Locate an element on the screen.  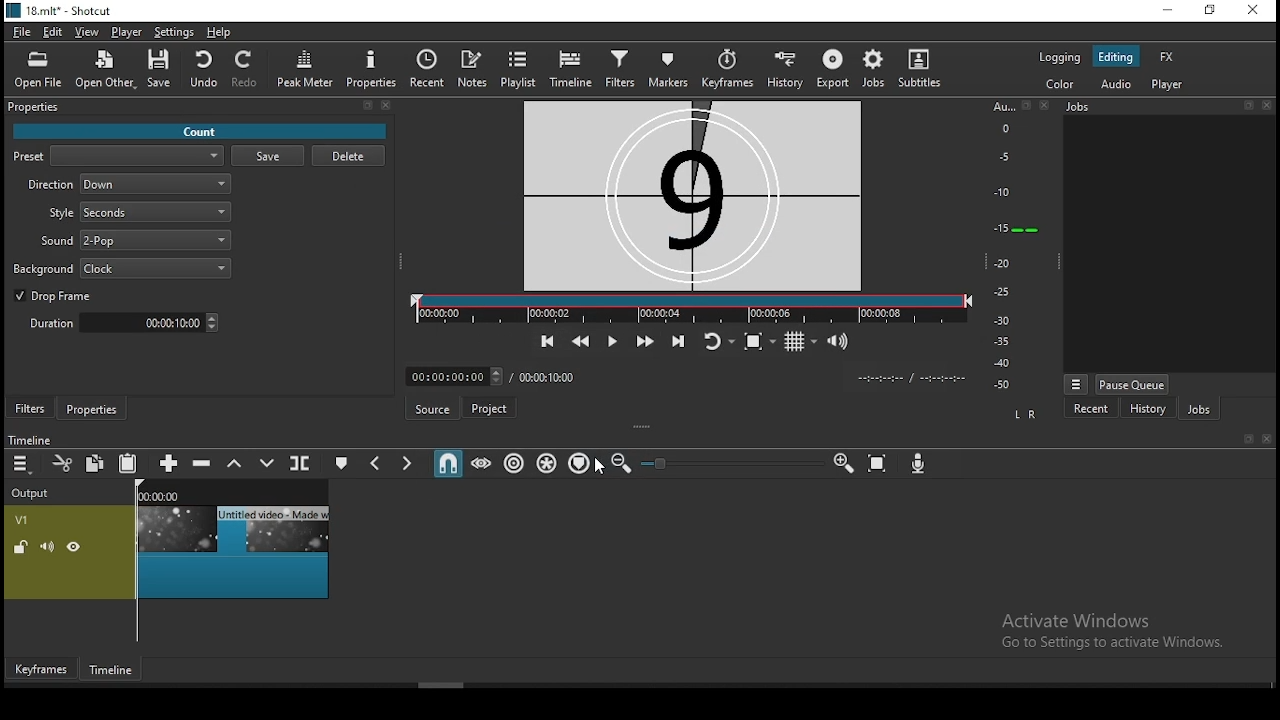
paste is located at coordinates (127, 463).